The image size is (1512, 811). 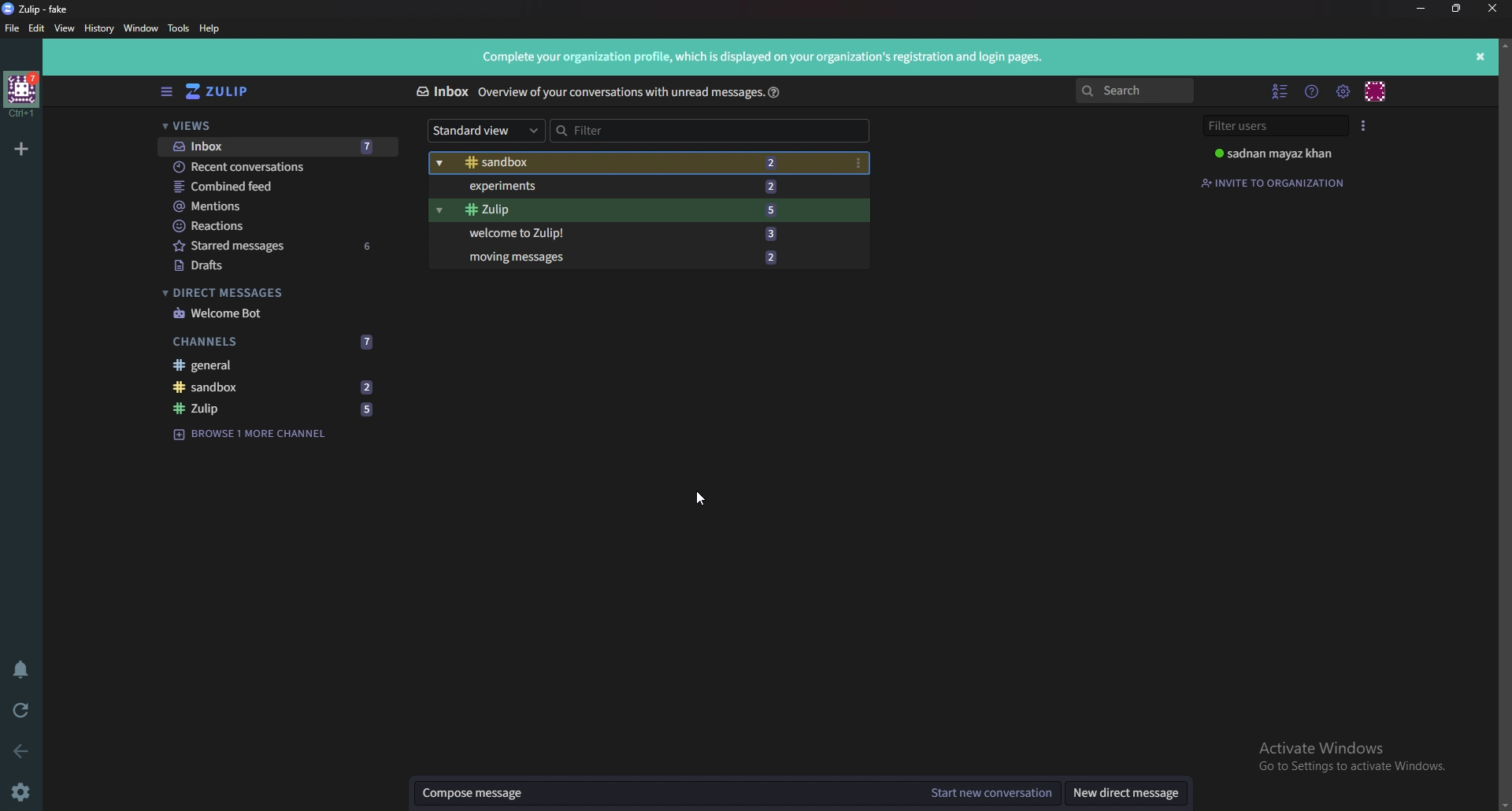 I want to click on welcome bot, so click(x=278, y=313).